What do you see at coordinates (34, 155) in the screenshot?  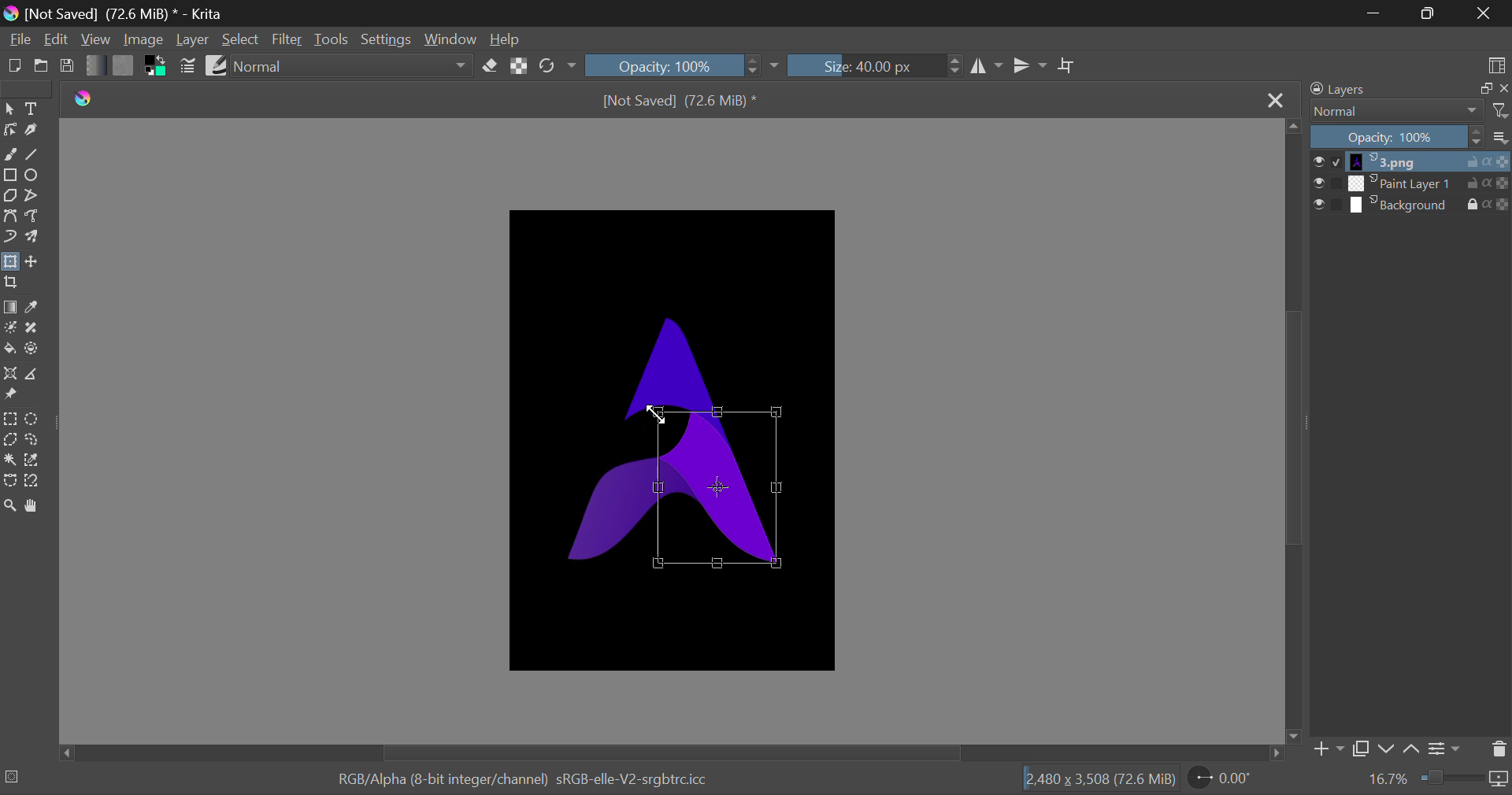 I see `Line` at bounding box center [34, 155].